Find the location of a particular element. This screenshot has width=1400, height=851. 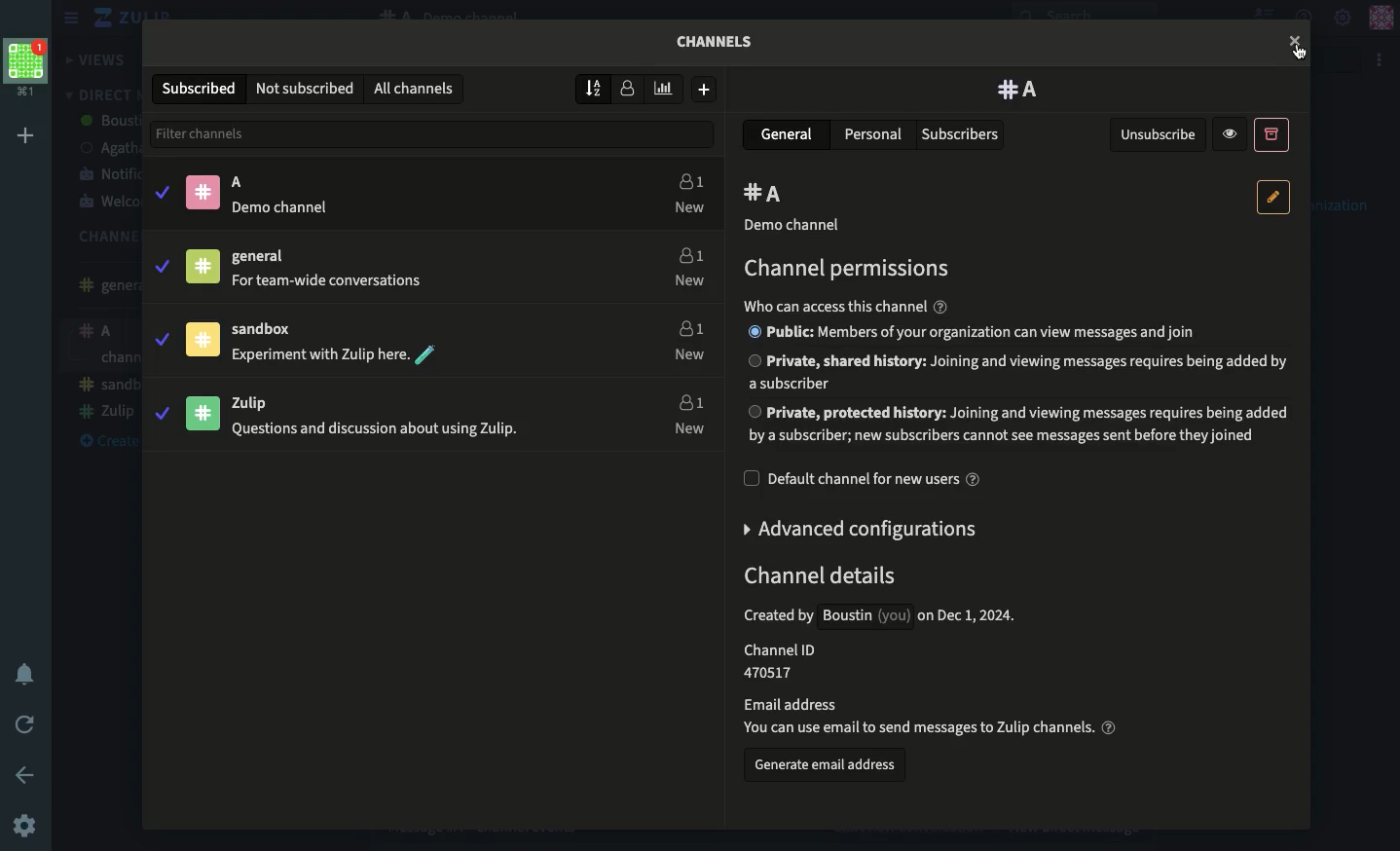

Generate email address is located at coordinates (826, 768).